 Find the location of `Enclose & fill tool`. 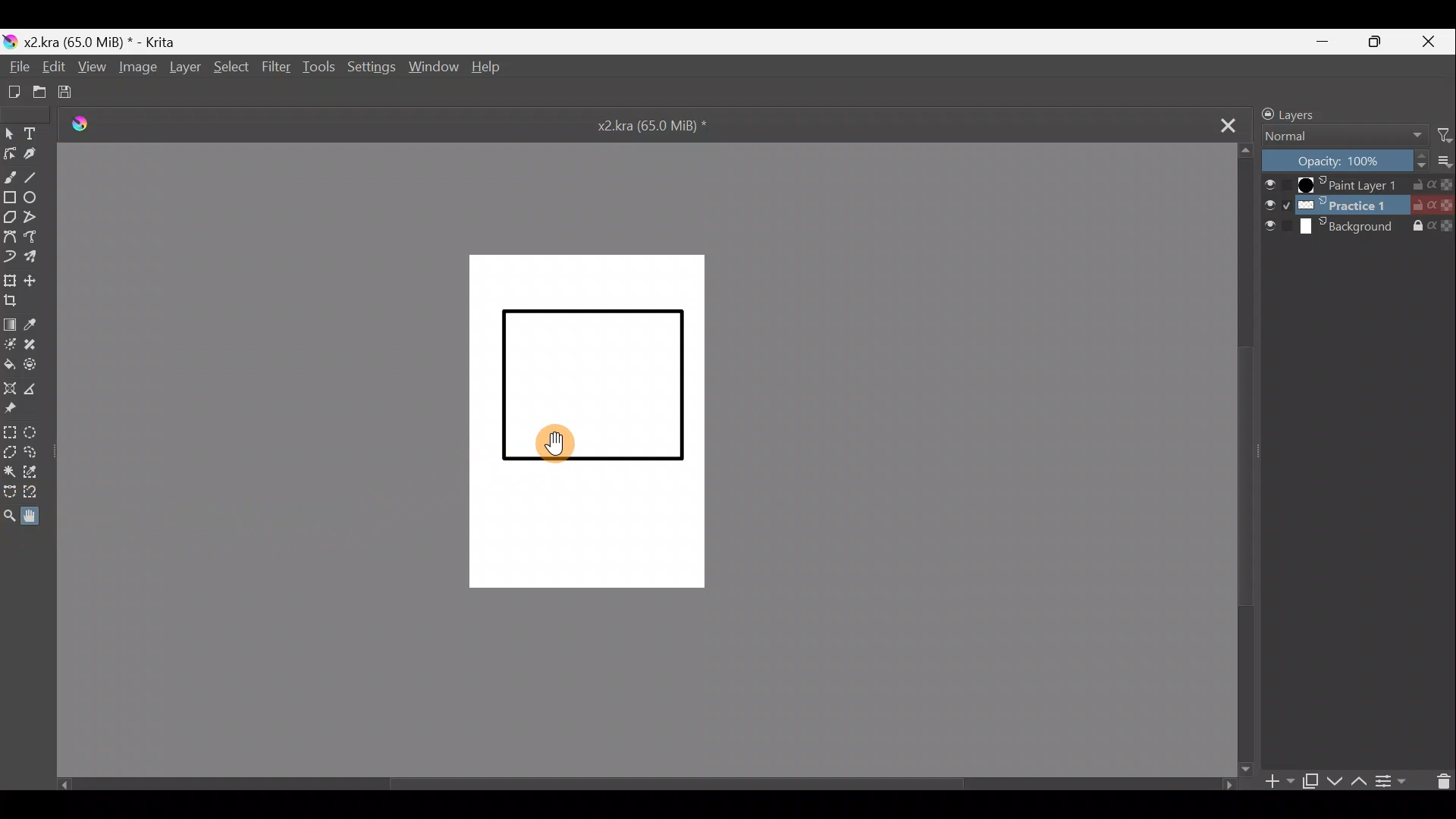

Enclose & fill tool is located at coordinates (35, 364).